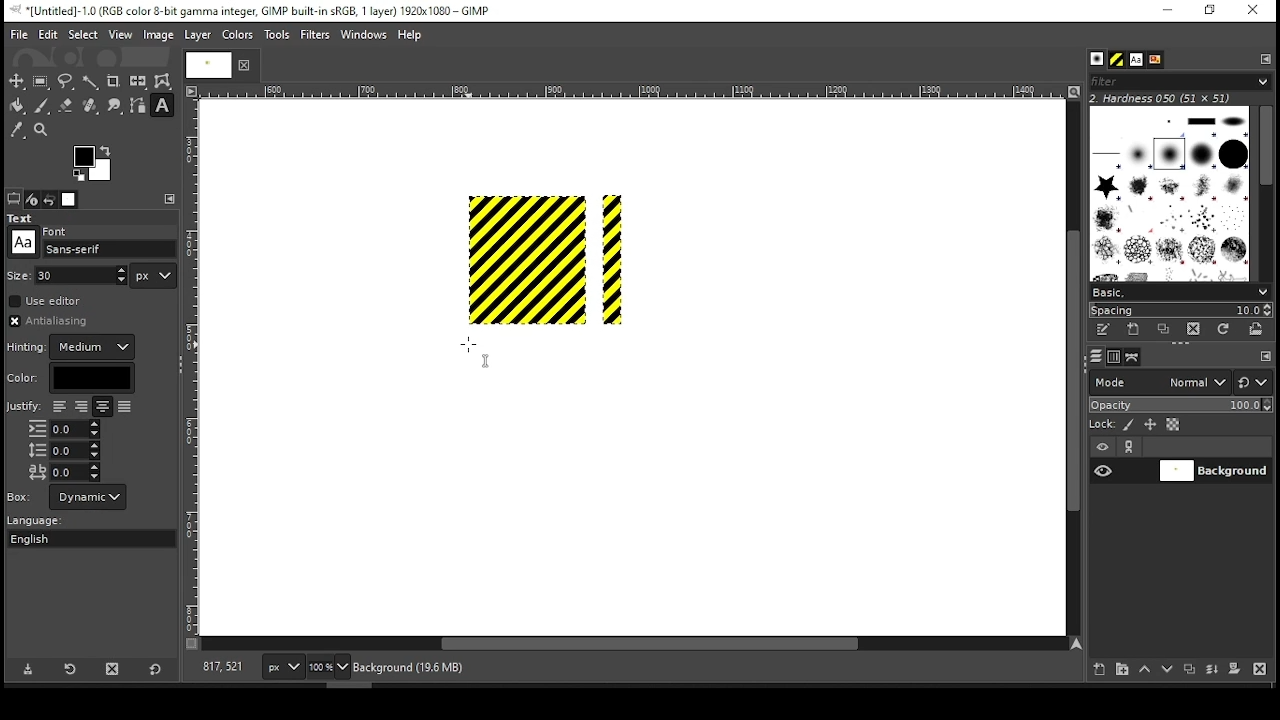  Describe the element at coordinates (1168, 671) in the screenshot. I see `move layer one step down` at that location.